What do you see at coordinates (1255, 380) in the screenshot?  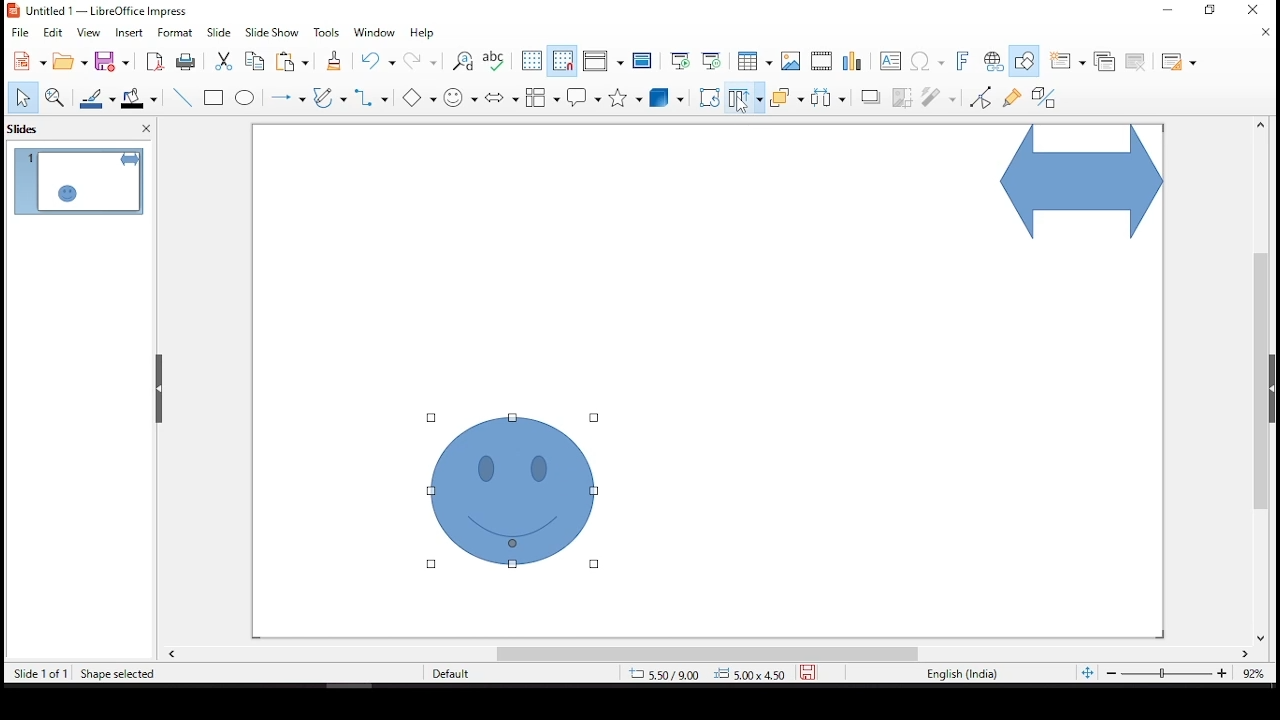 I see `scroll bar` at bounding box center [1255, 380].